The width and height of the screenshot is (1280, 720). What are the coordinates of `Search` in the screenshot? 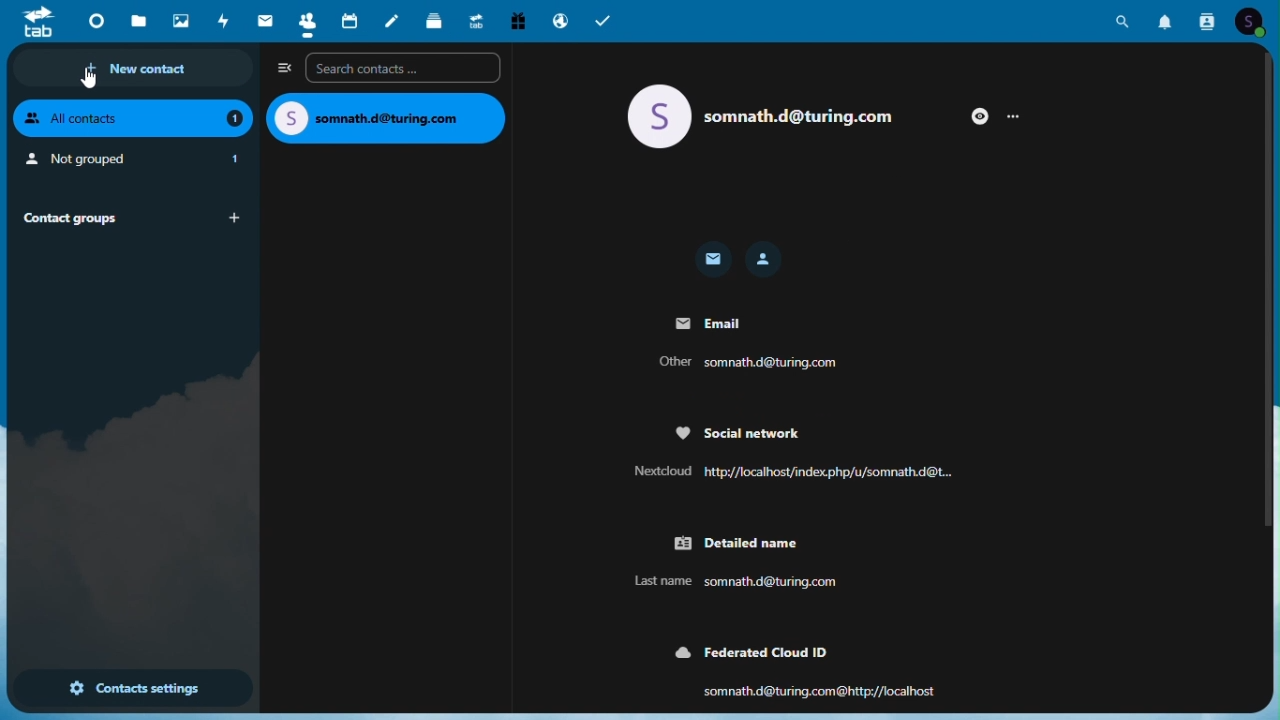 It's located at (1126, 21).